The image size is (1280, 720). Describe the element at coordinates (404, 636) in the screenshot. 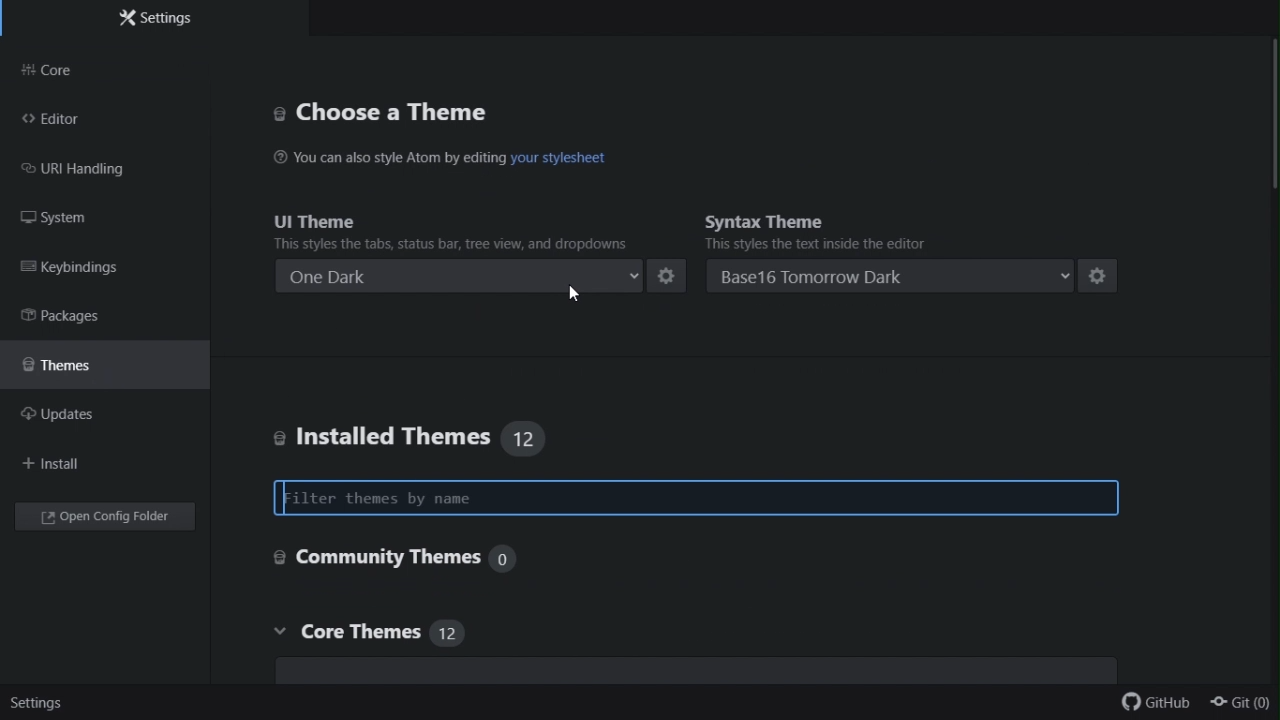

I see `Core themes` at that location.